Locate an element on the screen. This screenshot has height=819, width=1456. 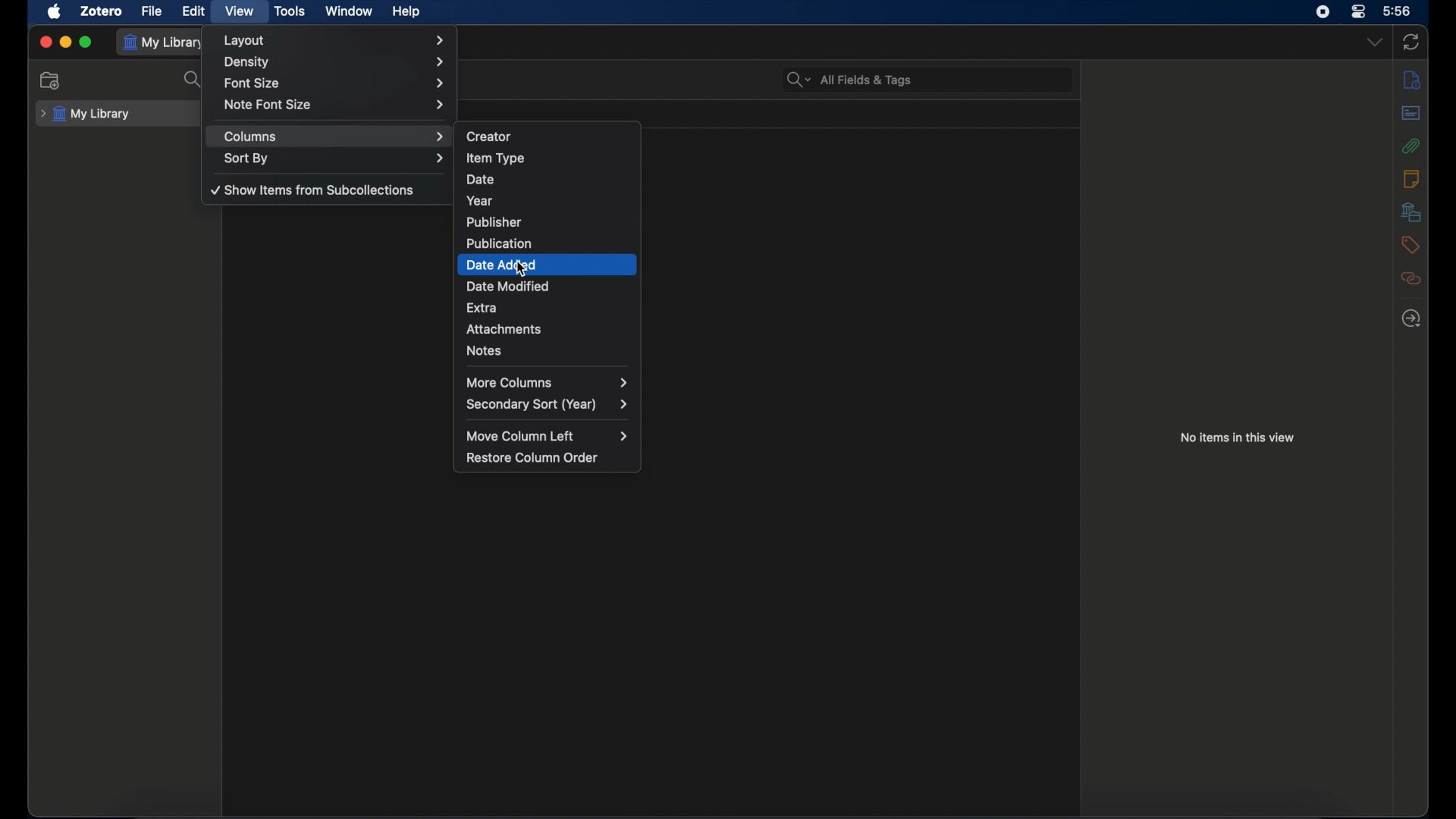
window is located at coordinates (349, 11).